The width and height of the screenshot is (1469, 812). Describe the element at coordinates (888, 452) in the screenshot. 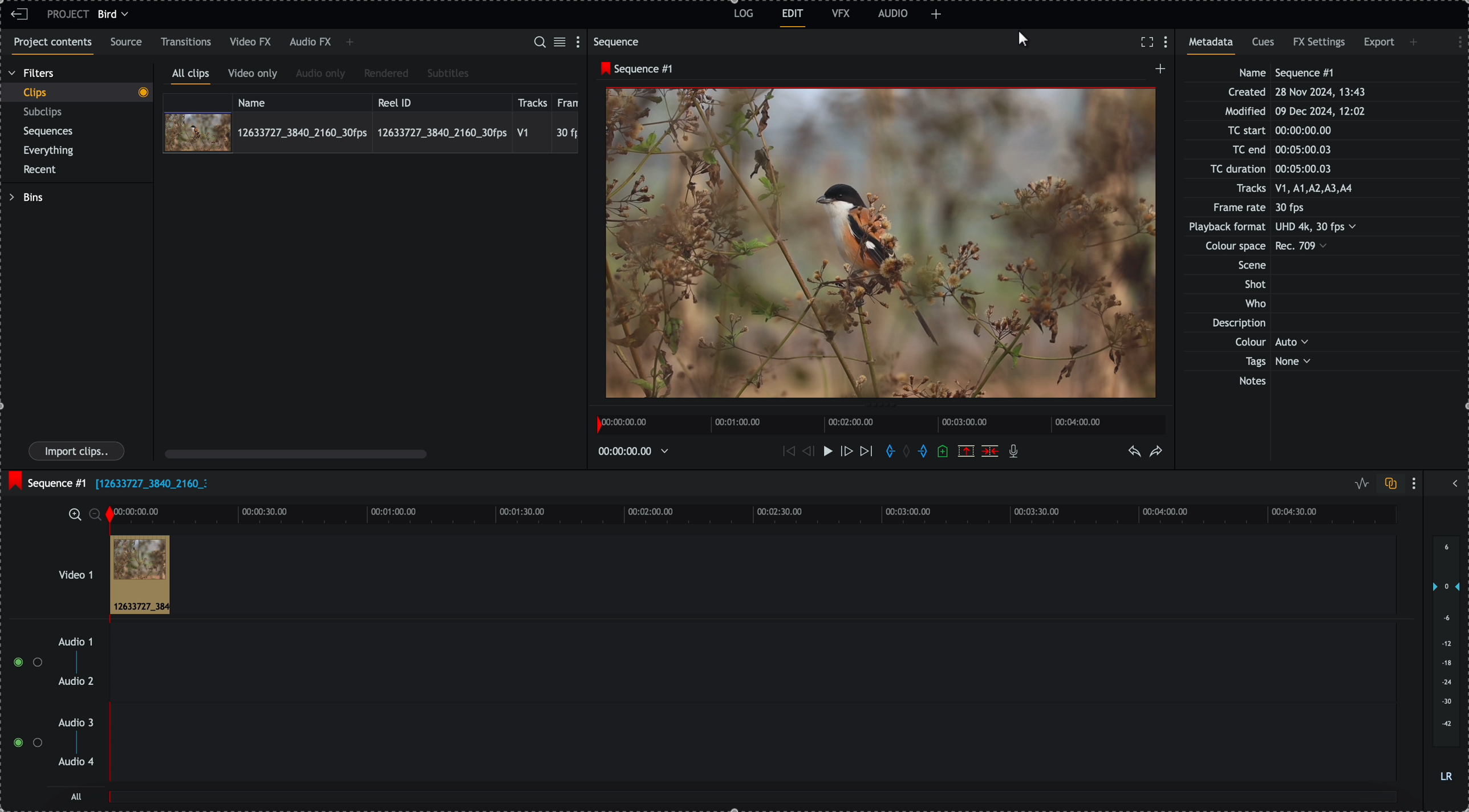

I see `add in marks` at that location.